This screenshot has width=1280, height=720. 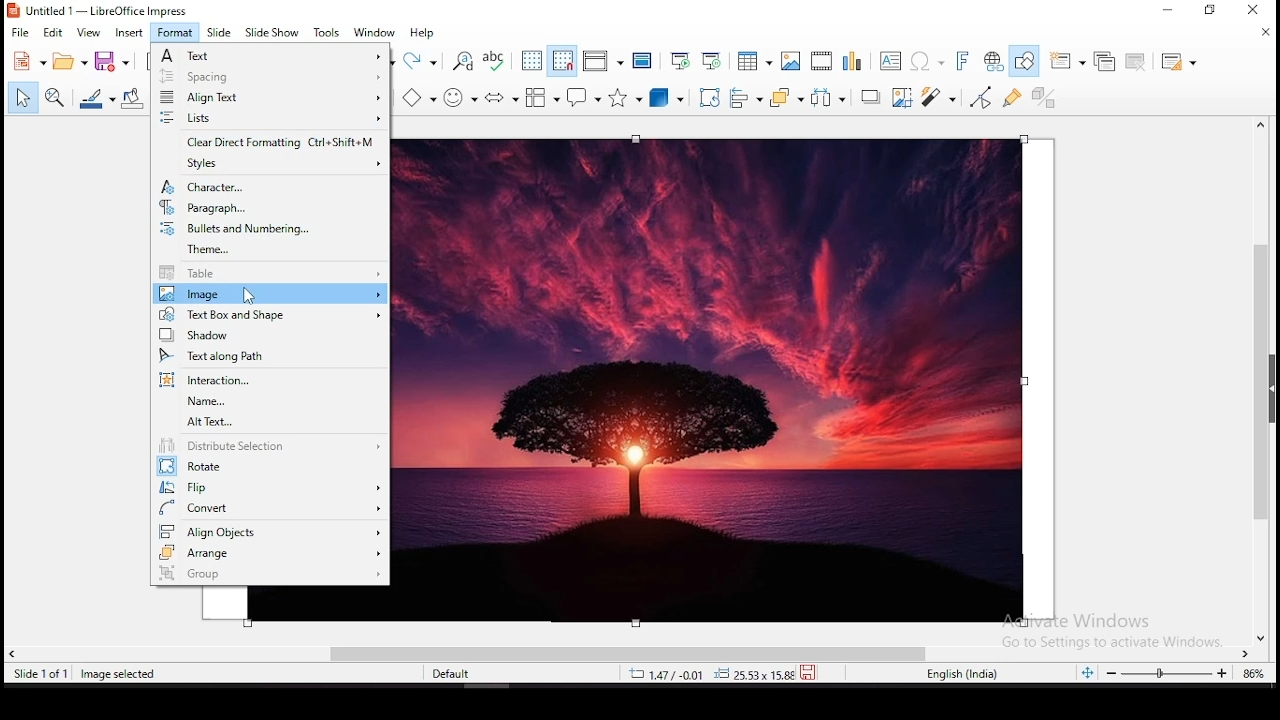 I want to click on scroll bar, so click(x=1267, y=380).